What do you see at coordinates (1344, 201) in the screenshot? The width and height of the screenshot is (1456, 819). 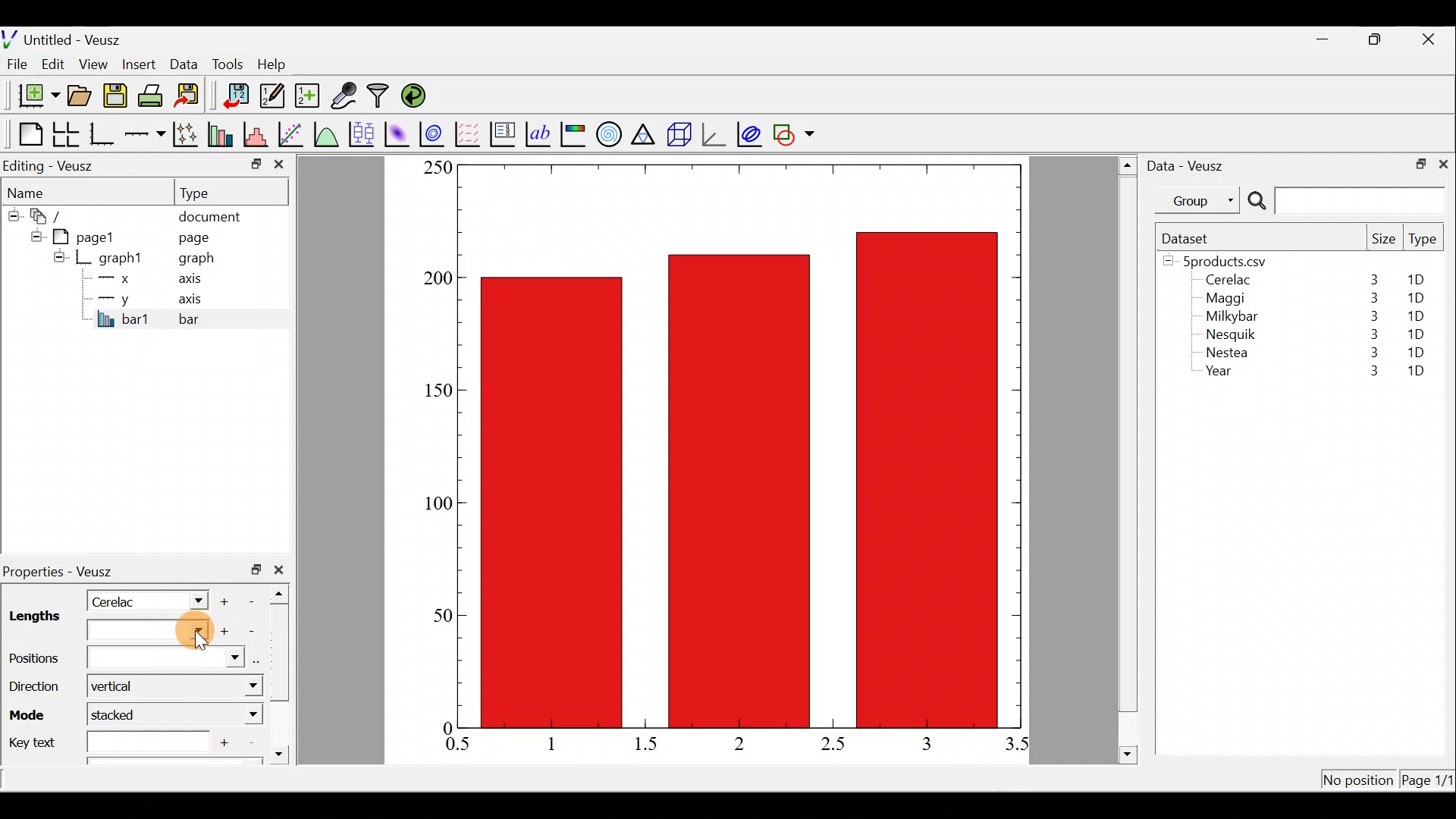 I see `Search bar` at bounding box center [1344, 201].